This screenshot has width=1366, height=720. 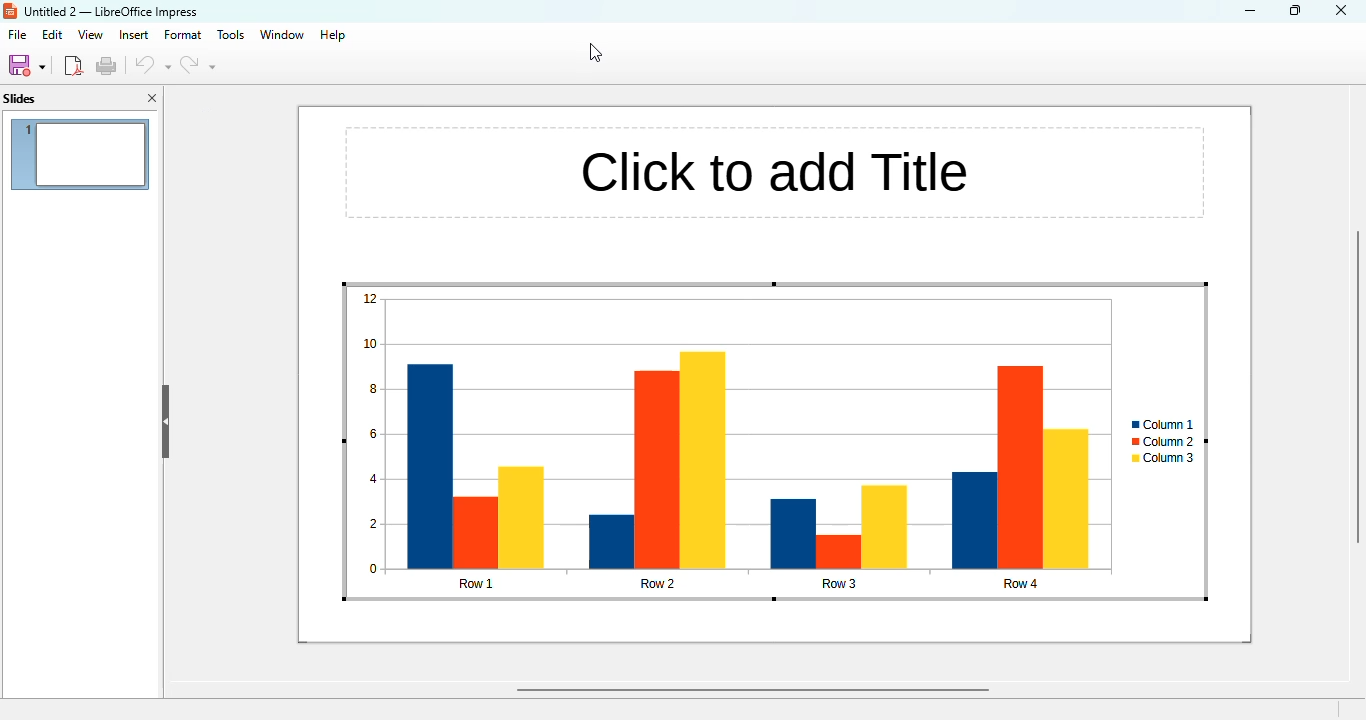 What do you see at coordinates (90, 35) in the screenshot?
I see `view` at bounding box center [90, 35].